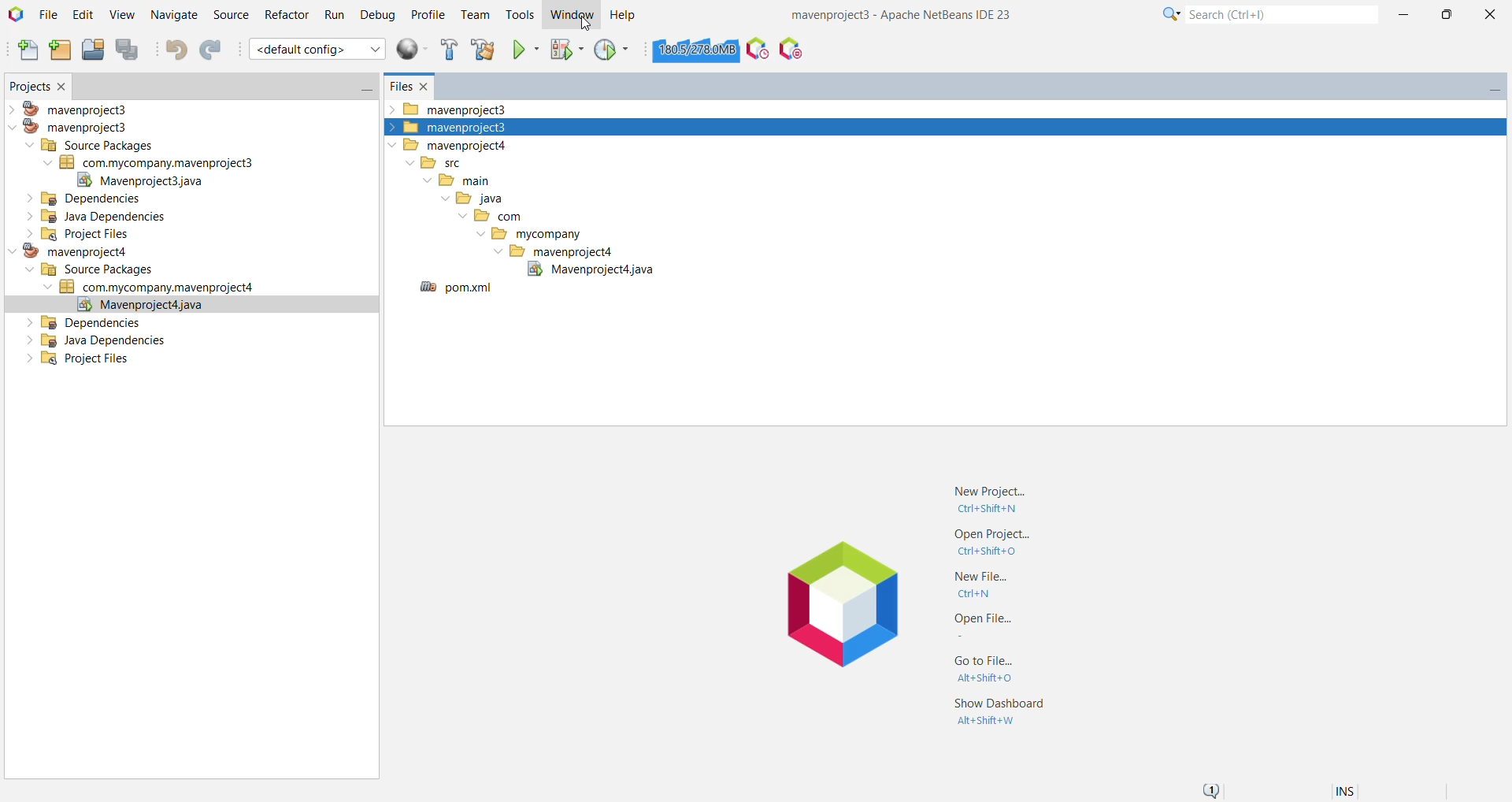  What do you see at coordinates (569, 16) in the screenshot?
I see `Window` at bounding box center [569, 16].